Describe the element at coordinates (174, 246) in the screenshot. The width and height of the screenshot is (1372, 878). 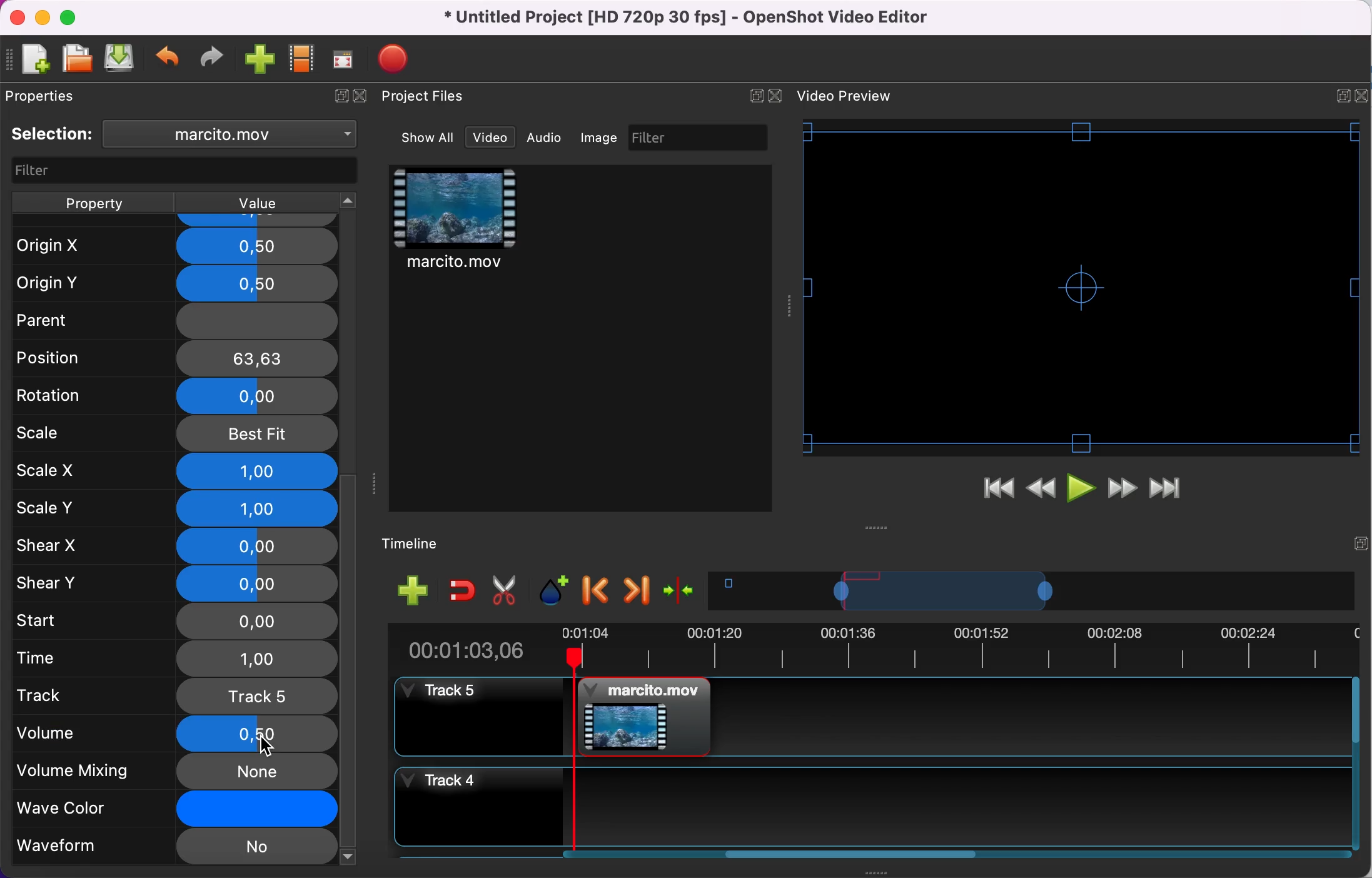
I see `Origin X` at that location.